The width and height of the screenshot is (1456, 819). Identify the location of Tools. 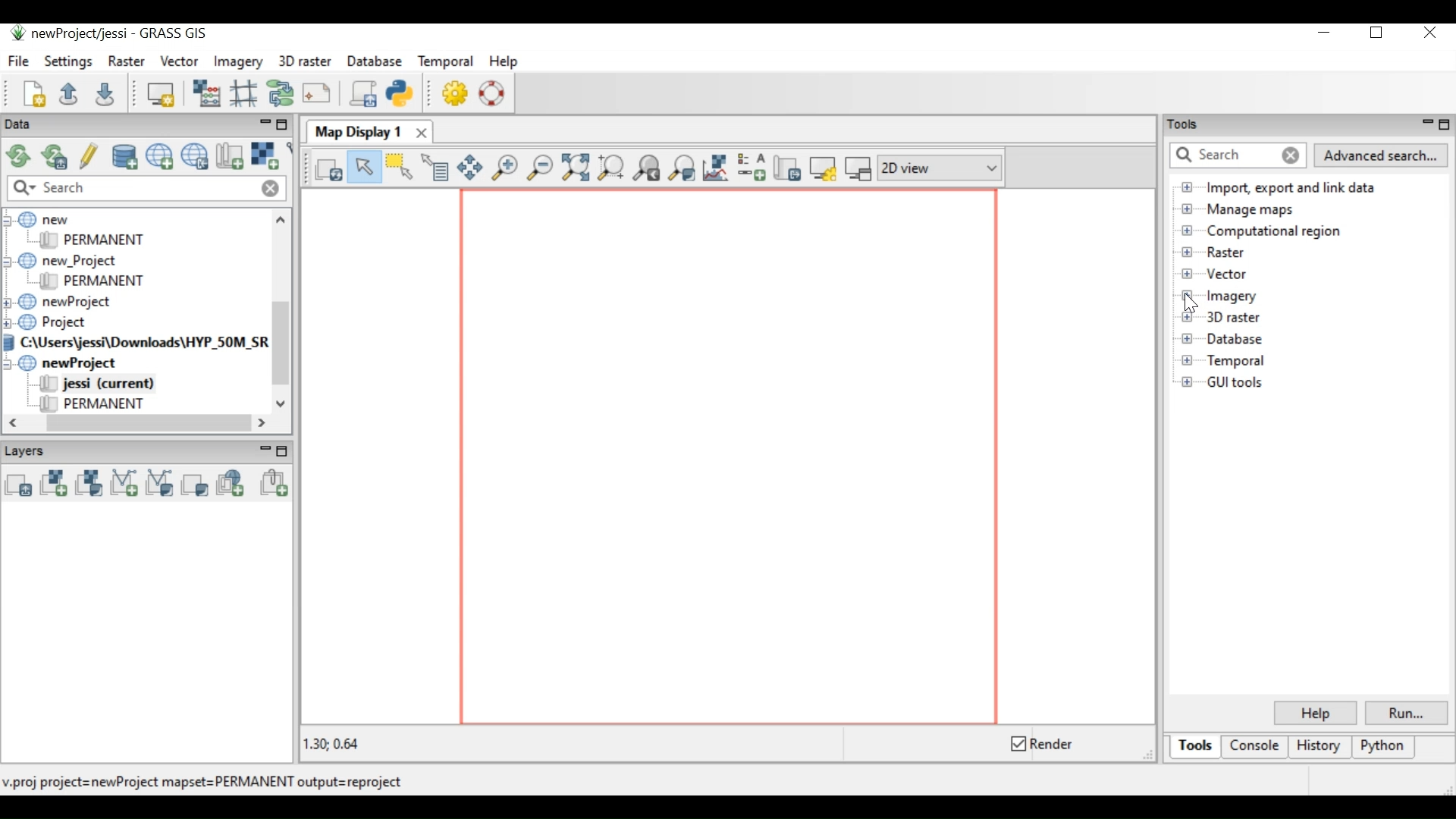
(1191, 748).